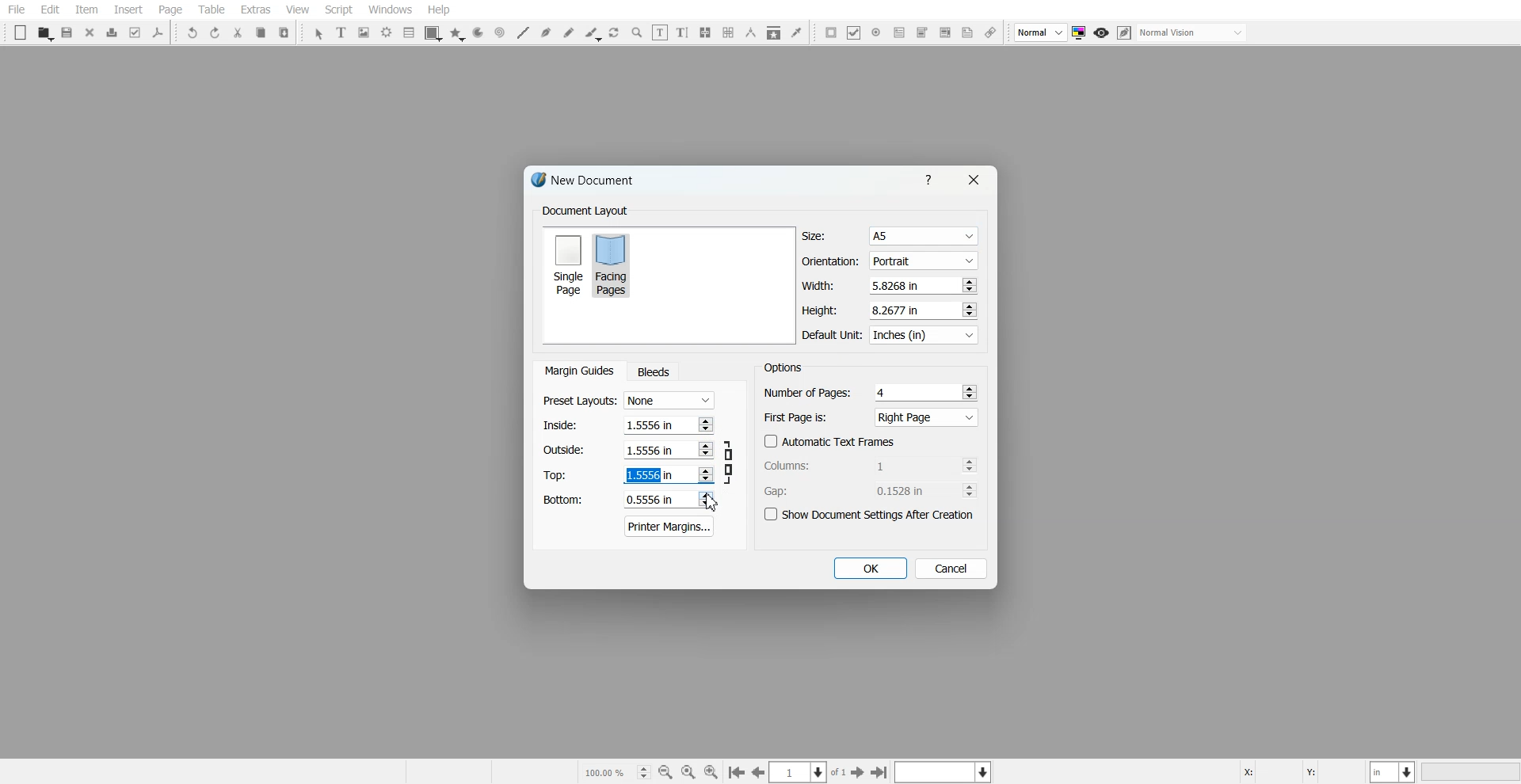 The width and height of the screenshot is (1521, 784). I want to click on PDF Combo Box, so click(921, 32).